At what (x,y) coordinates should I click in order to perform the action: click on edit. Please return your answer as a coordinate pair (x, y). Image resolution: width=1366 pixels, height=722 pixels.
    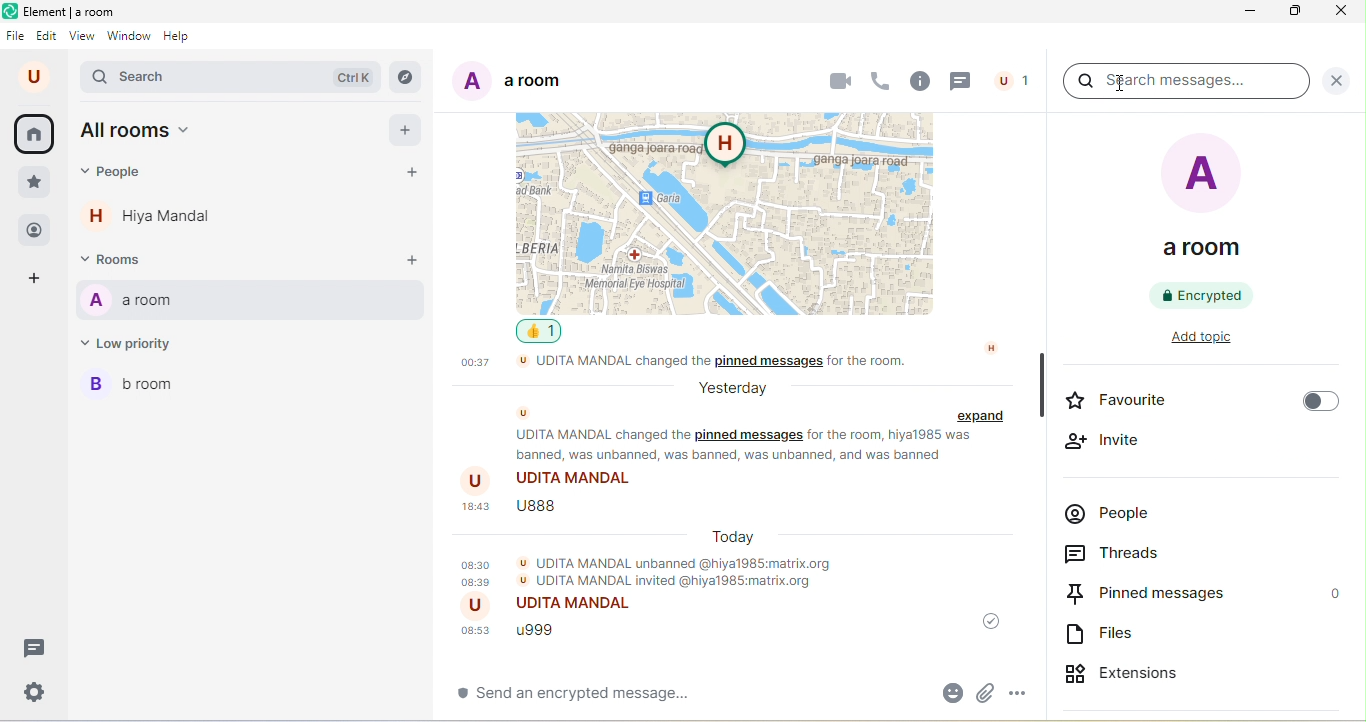
    Looking at the image, I should click on (48, 36).